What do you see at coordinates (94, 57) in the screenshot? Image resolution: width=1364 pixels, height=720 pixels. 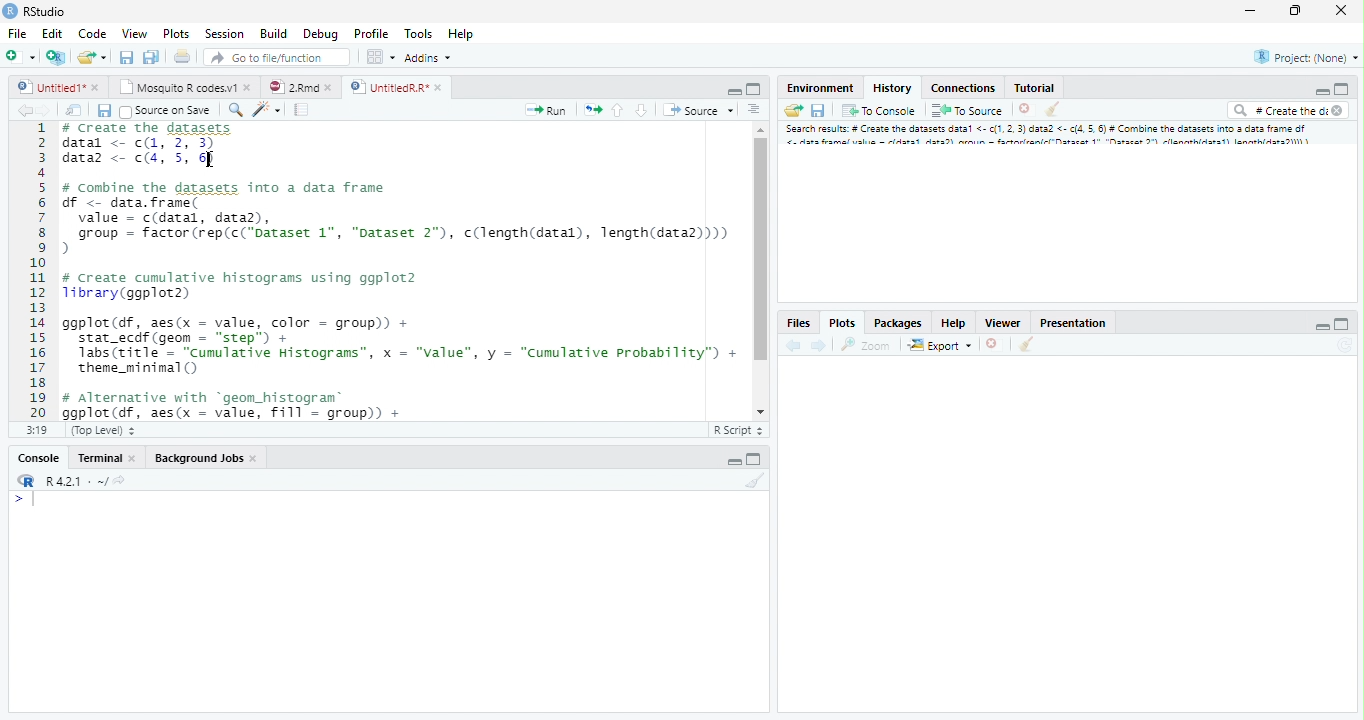 I see `Create a new file` at bounding box center [94, 57].